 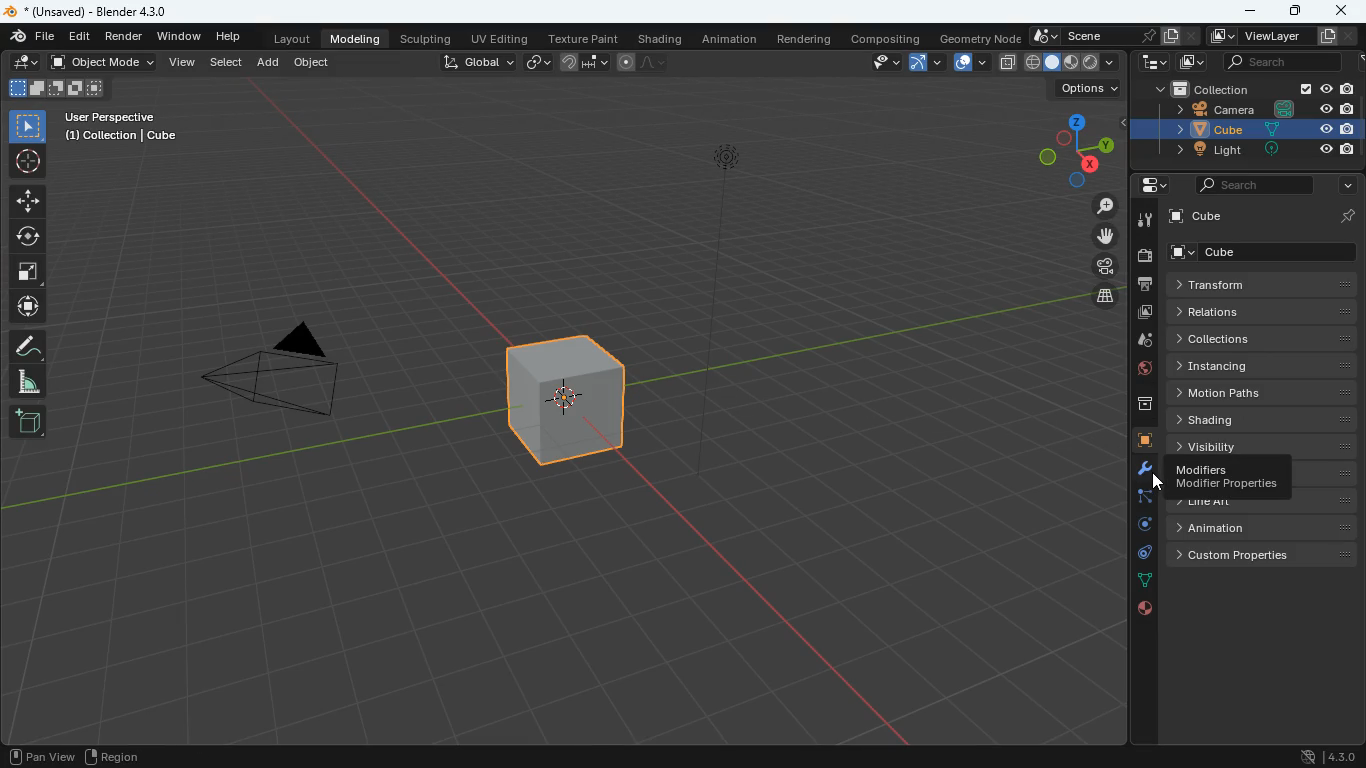 I want to click on blender, so click(x=32, y=36).